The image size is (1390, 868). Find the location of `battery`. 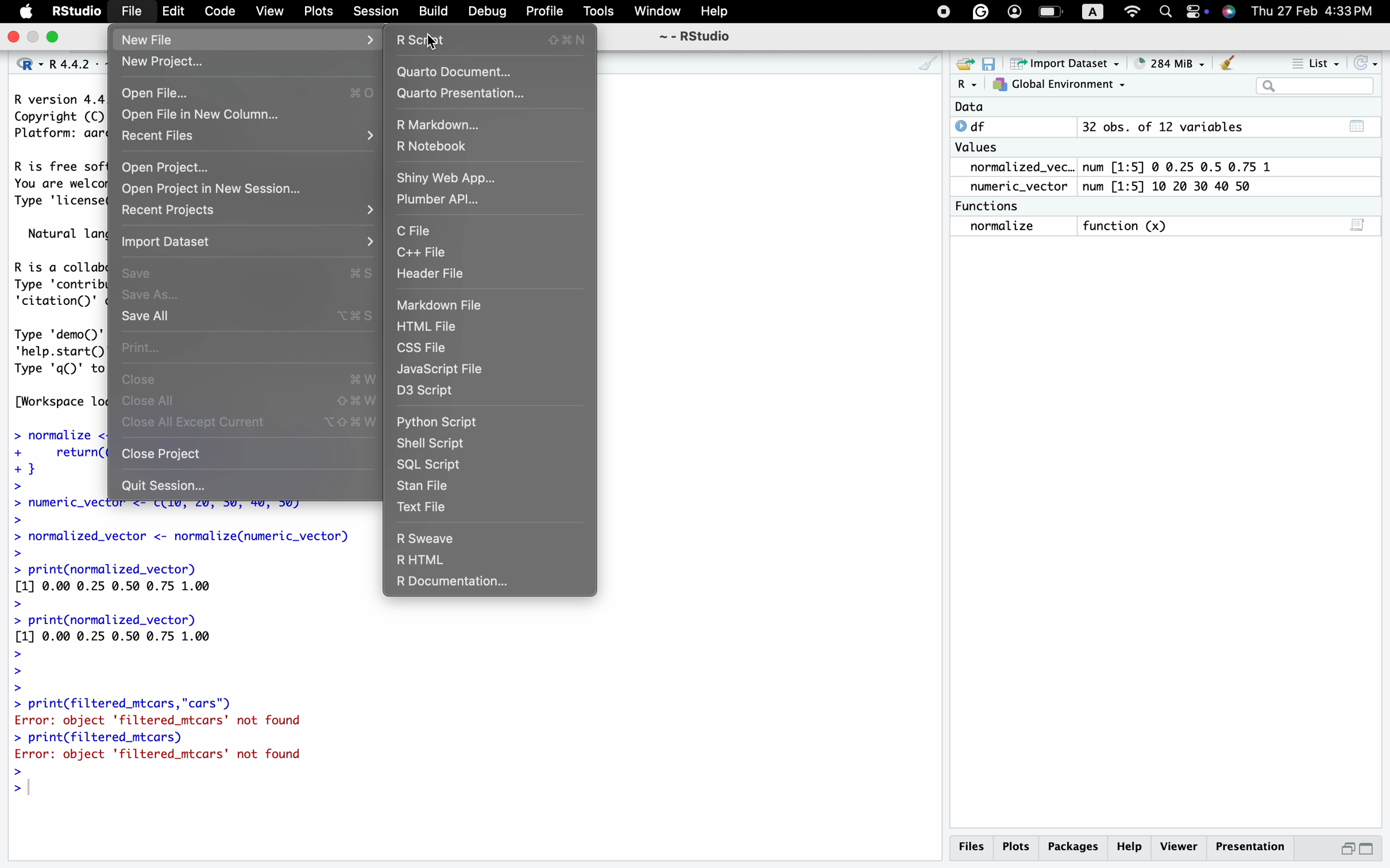

battery is located at coordinates (1050, 11).